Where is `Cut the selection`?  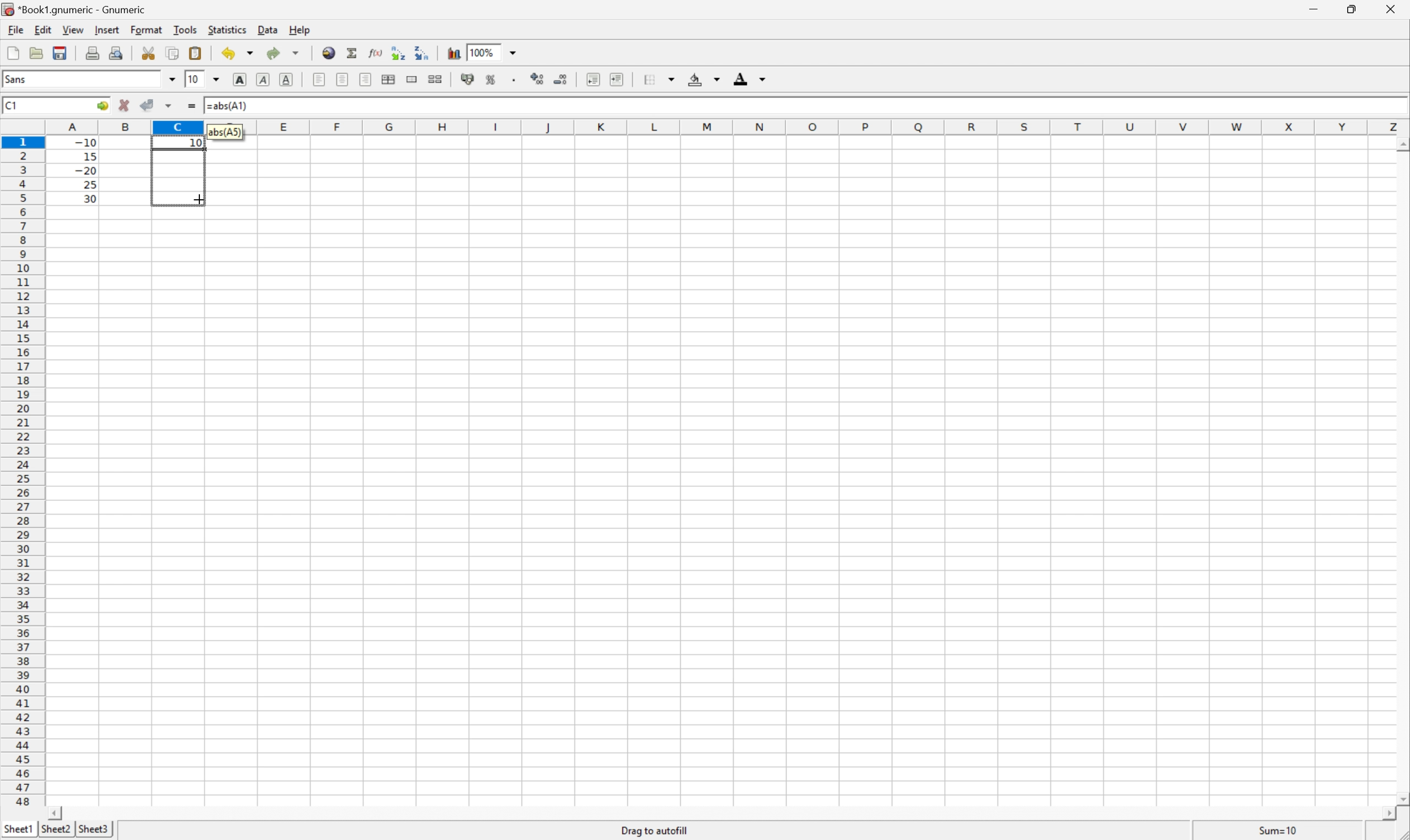
Cut the selection is located at coordinates (151, 53).